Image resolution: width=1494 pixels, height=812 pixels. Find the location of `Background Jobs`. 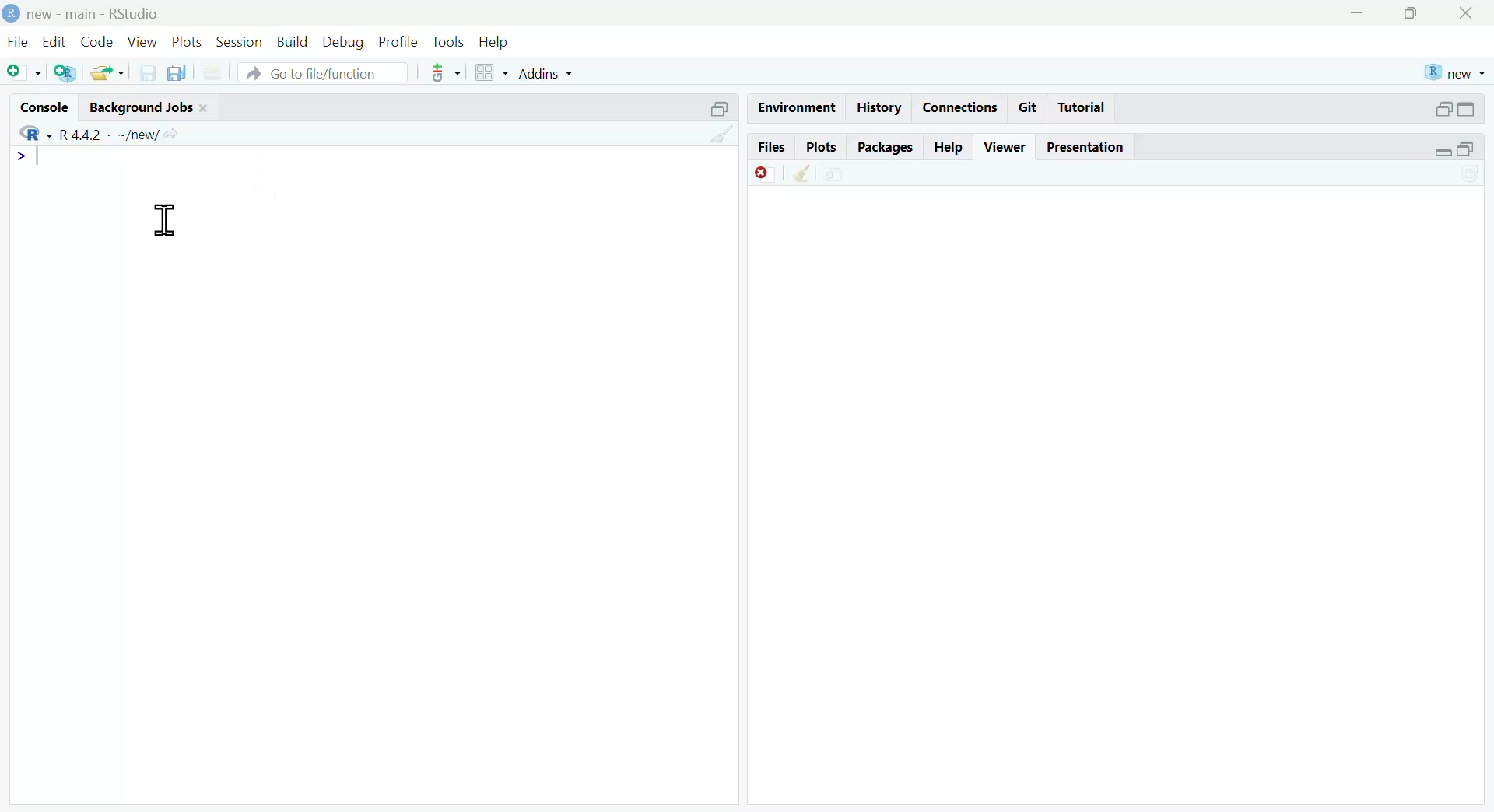

Background Jobs is located at coordinates (151, 108).